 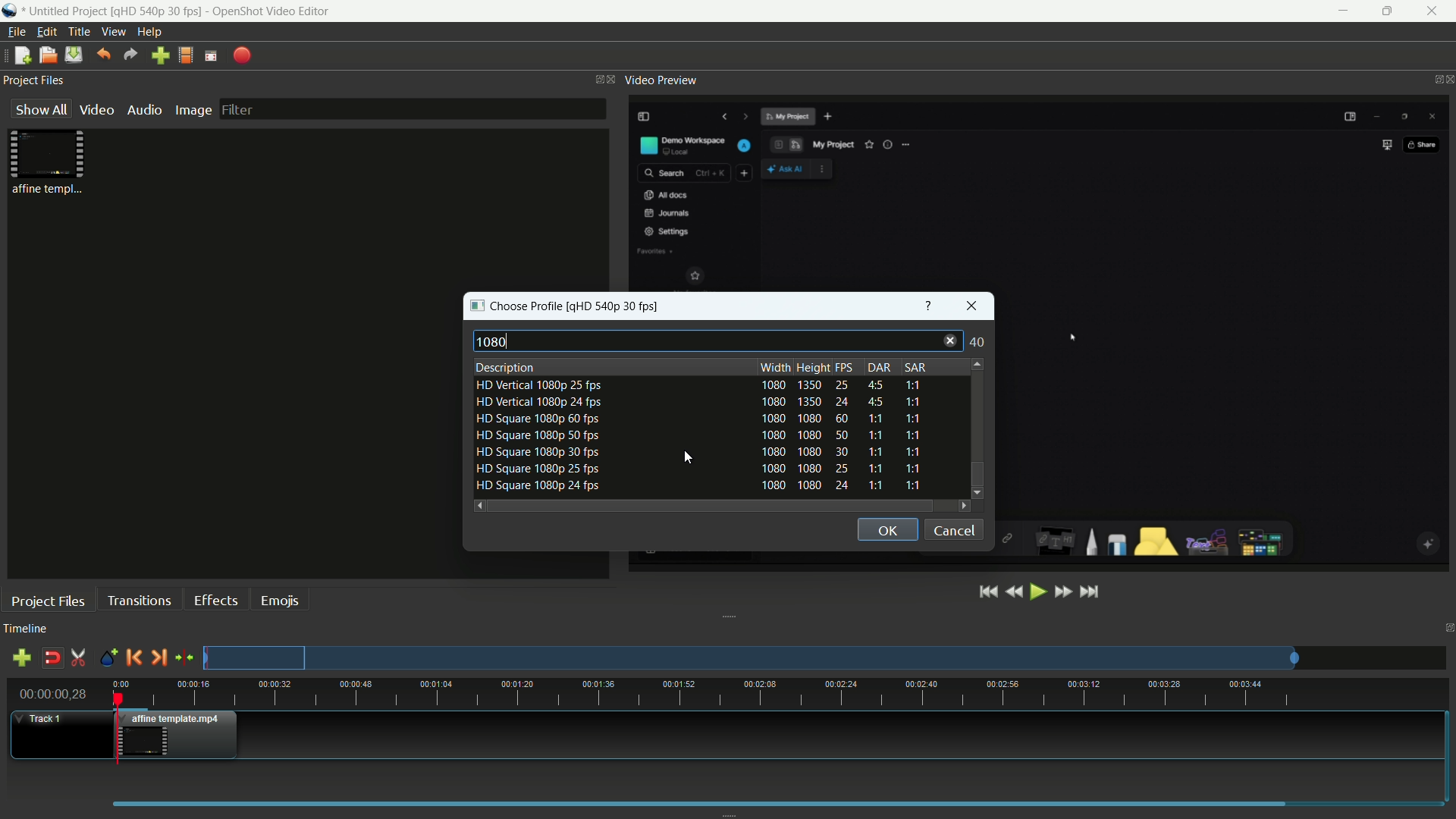 I want to click on profile, so click(x=186, y=55).